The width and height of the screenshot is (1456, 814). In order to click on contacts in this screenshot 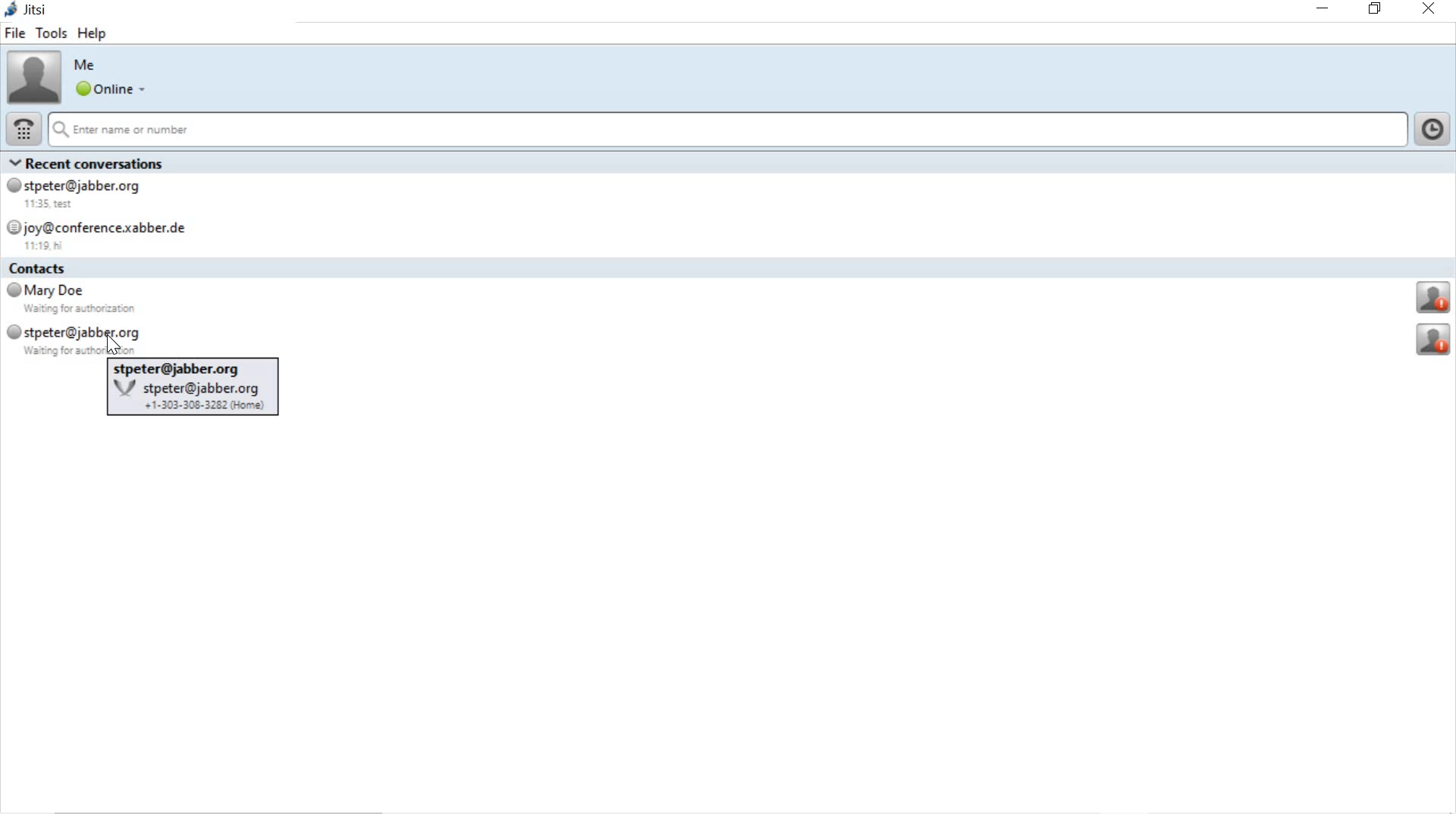, I will do `click(49, 269)`.